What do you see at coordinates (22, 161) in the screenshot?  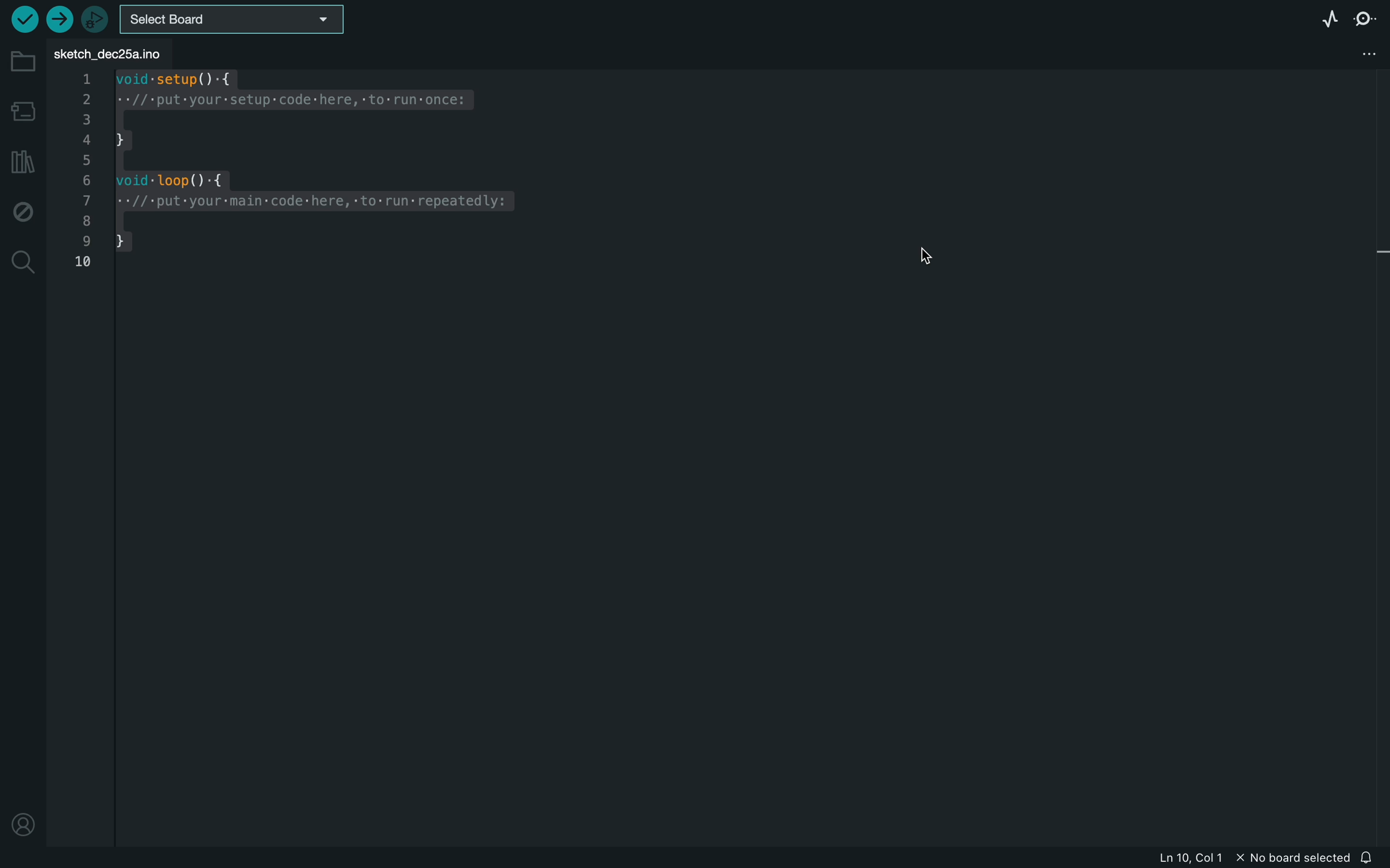 I see `library  manager` at bounding box center [22, 161].